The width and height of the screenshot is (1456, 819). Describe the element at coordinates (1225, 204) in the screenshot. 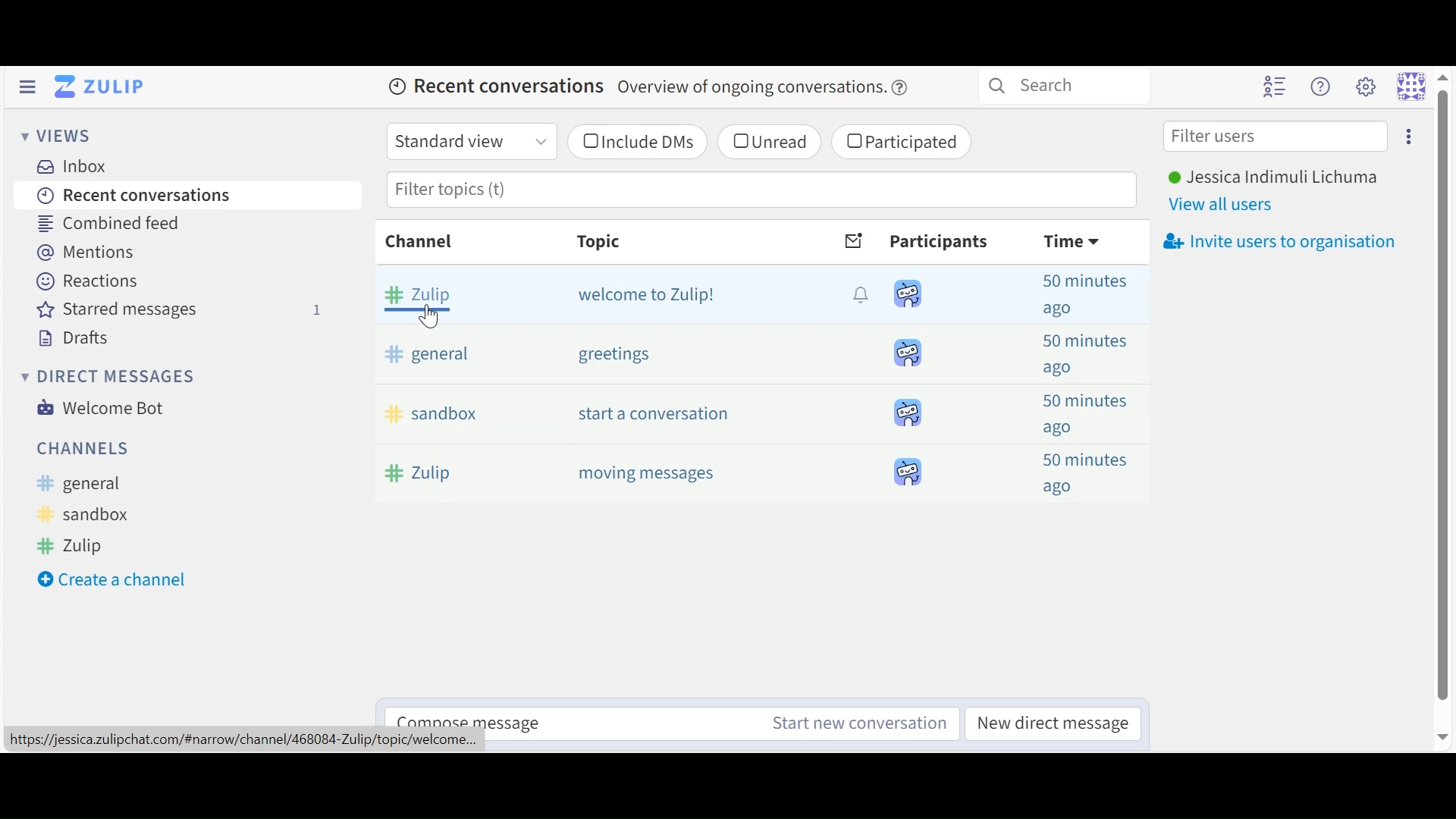

I see `View All users` at that location.